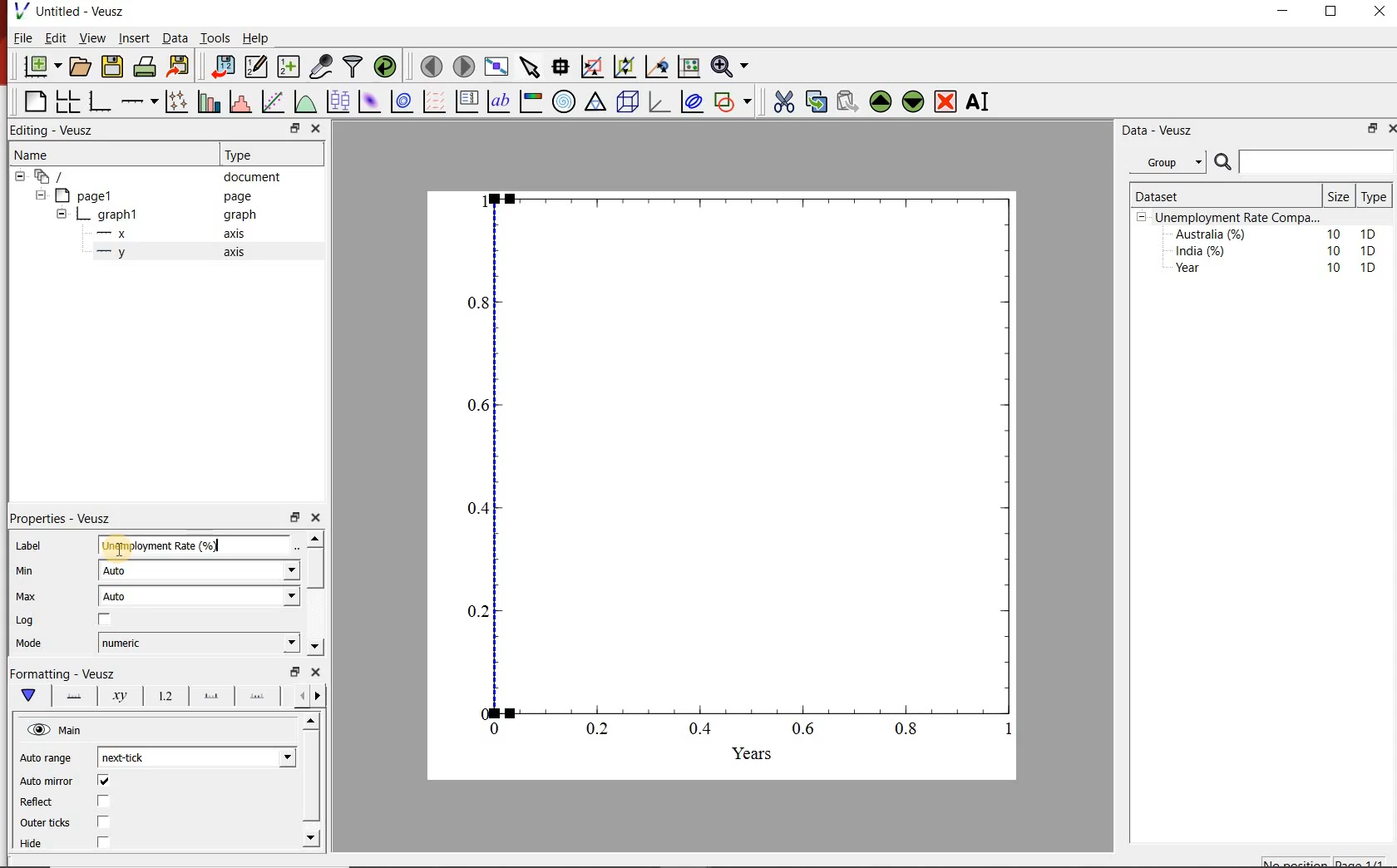 This screenshot has width=1397, height=868. Describe the element at coordinates (200, 643) in the screenshot. I see `numeric` at that location.